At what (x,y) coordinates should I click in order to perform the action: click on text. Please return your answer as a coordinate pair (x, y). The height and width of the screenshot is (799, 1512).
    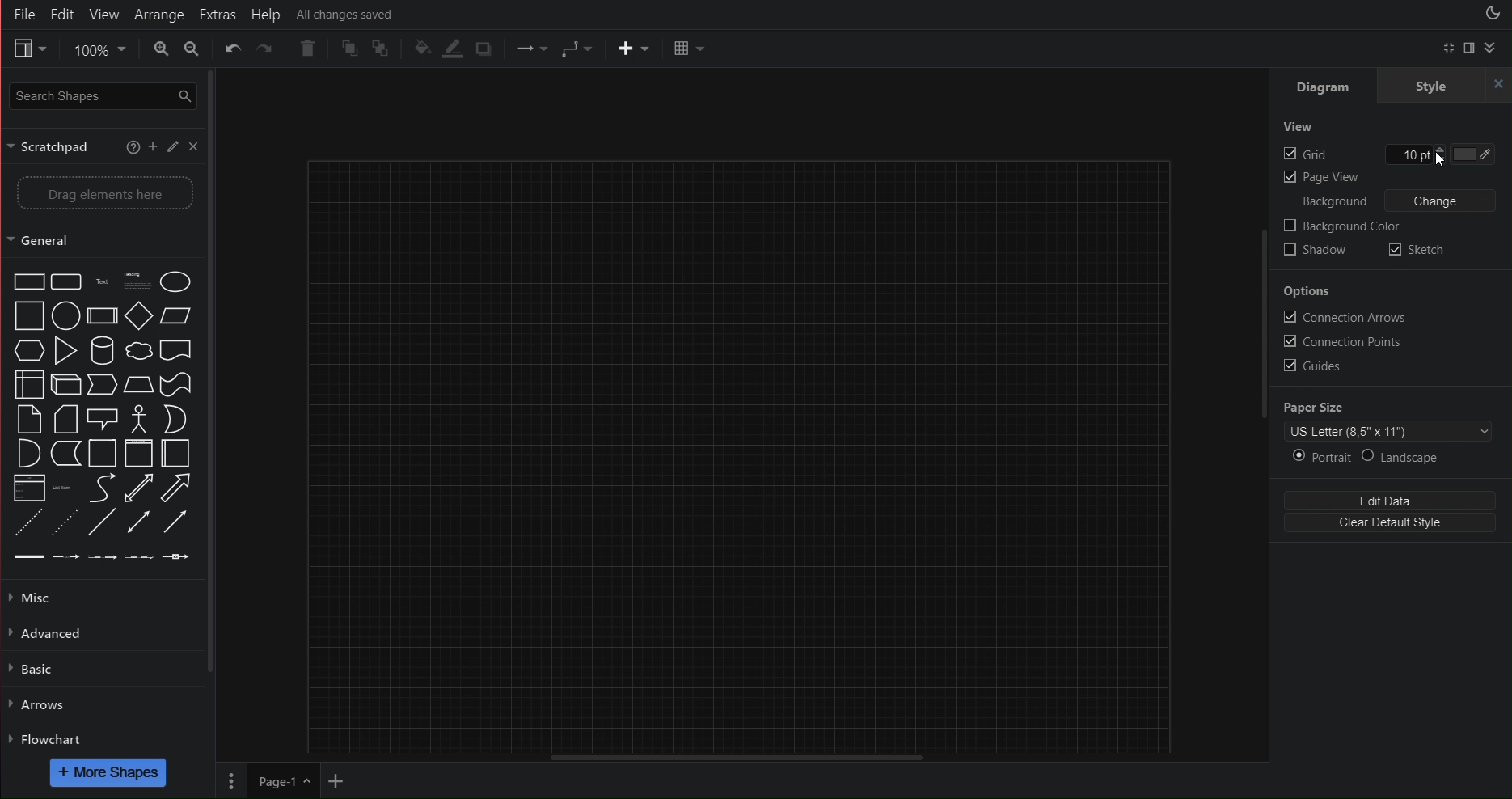
    Looking at the image, I should click on (99, 277).